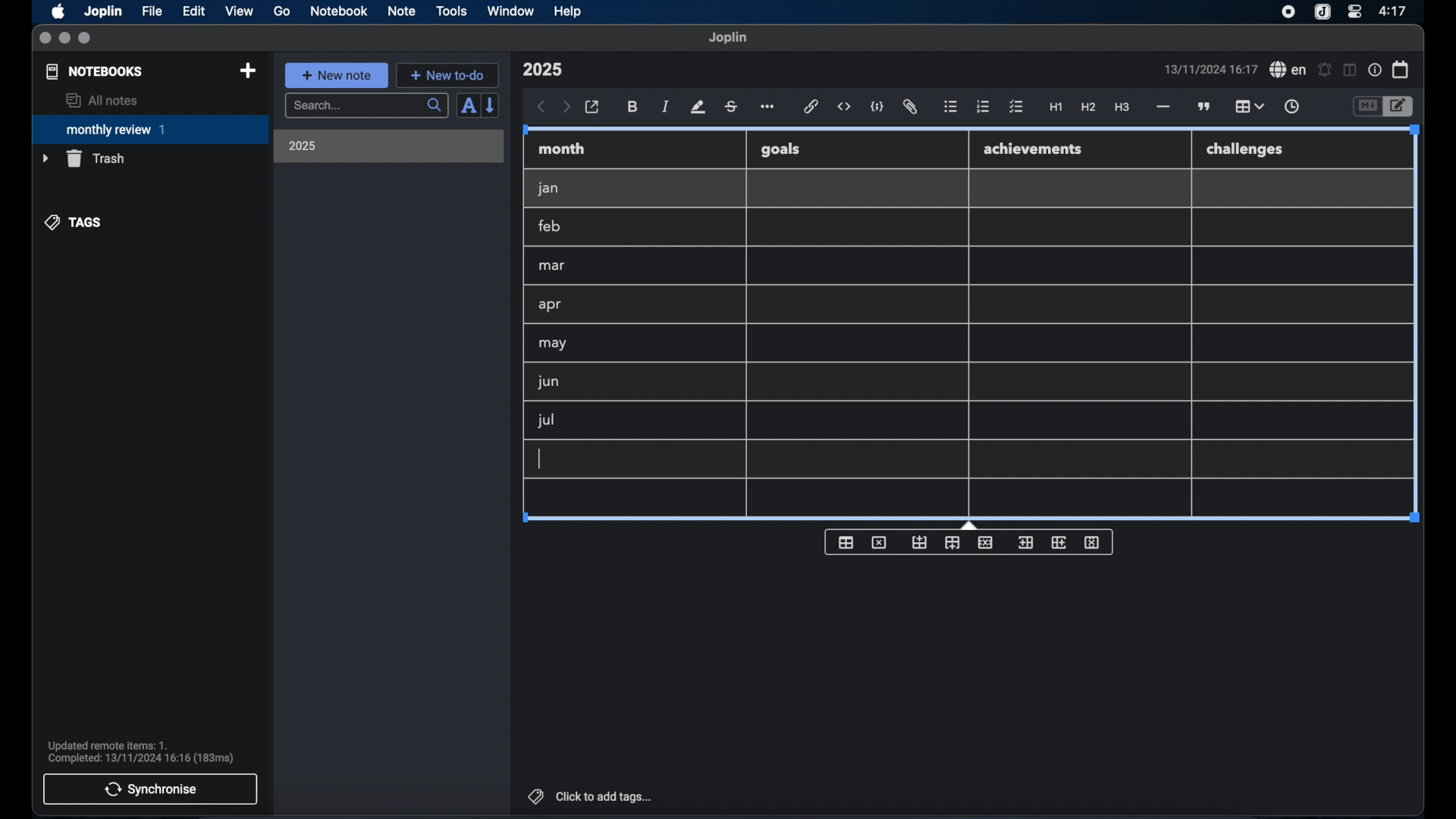 The image size is (1456, 819). I want to click on help, so click(569, 11).